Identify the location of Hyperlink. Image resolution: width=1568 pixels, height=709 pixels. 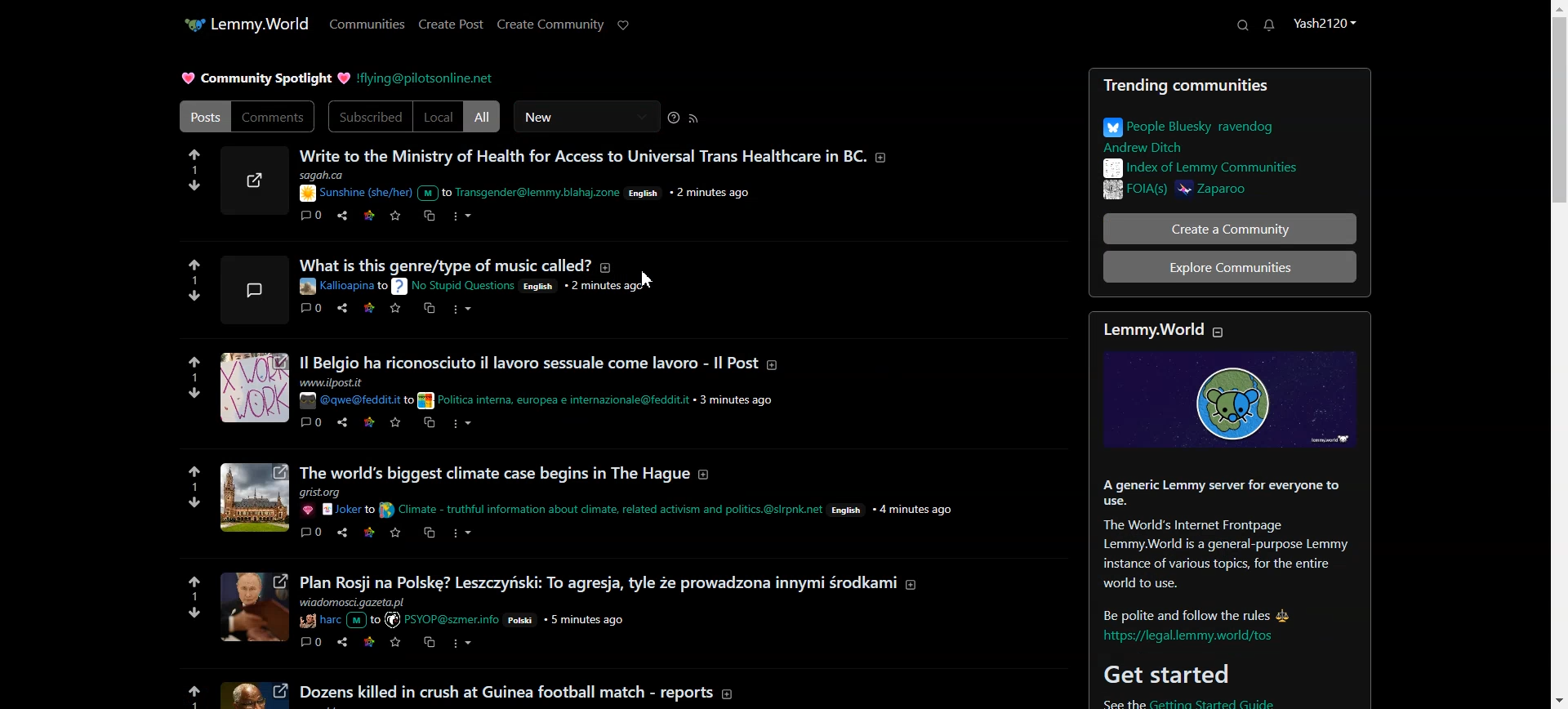
(443, 78).